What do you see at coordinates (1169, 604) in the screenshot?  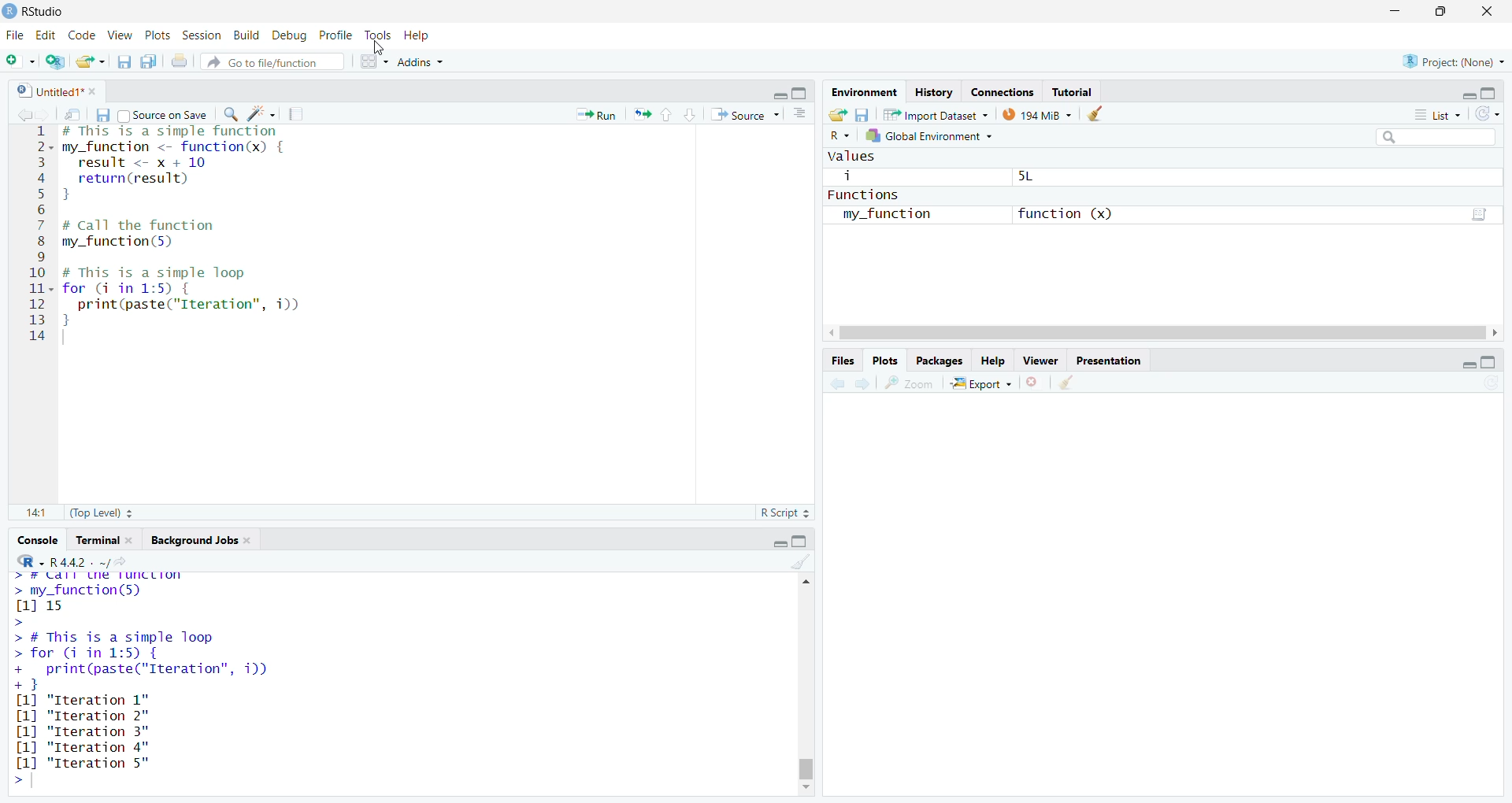 I see `empty plot area` at bounding box center [1169, 604].